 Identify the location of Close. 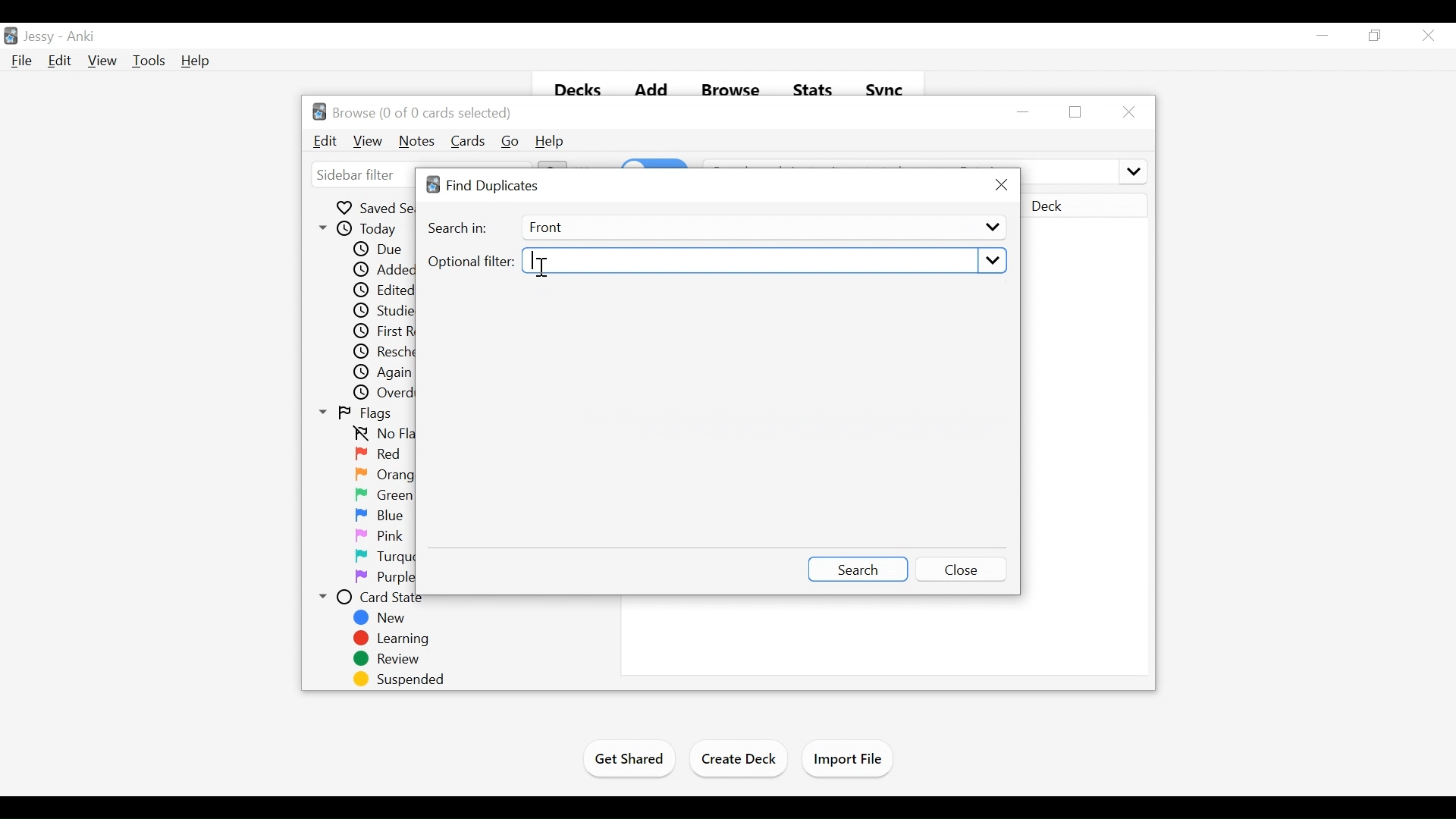
(1426, 35).